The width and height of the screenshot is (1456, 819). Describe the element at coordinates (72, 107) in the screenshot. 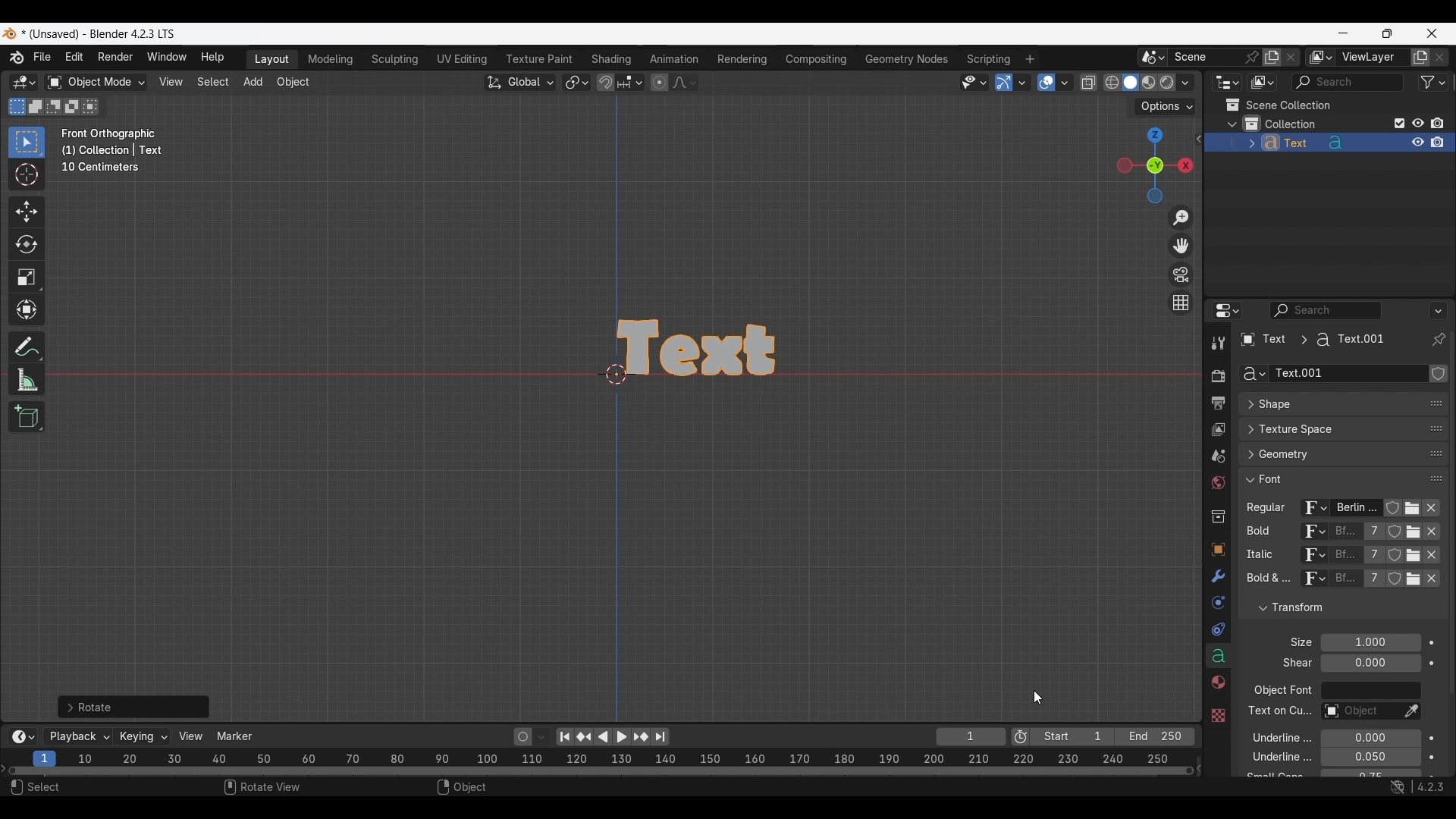

I see `Invert existing selection` at that location.